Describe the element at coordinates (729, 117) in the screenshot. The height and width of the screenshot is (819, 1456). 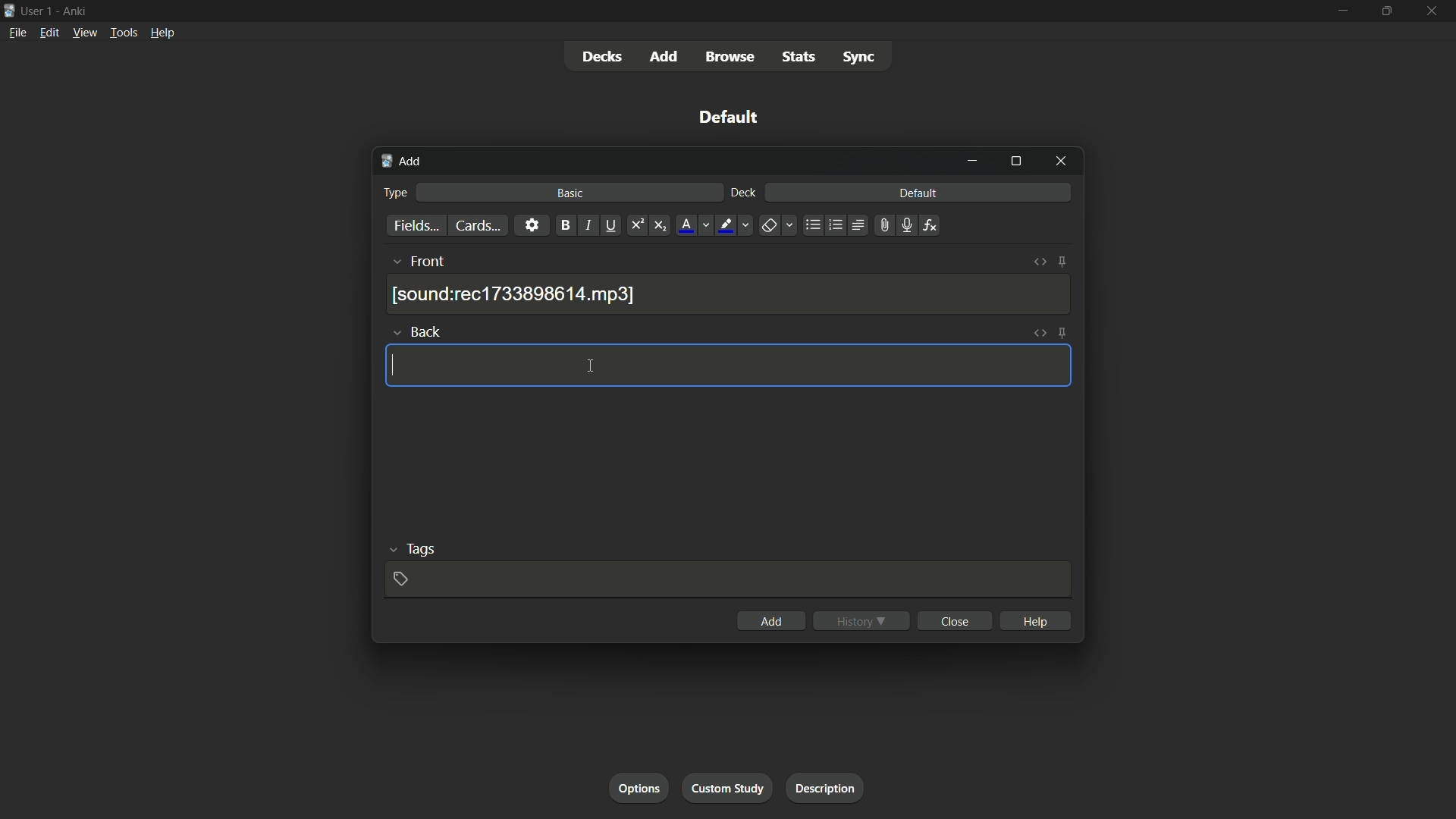
I see `default` at that location.